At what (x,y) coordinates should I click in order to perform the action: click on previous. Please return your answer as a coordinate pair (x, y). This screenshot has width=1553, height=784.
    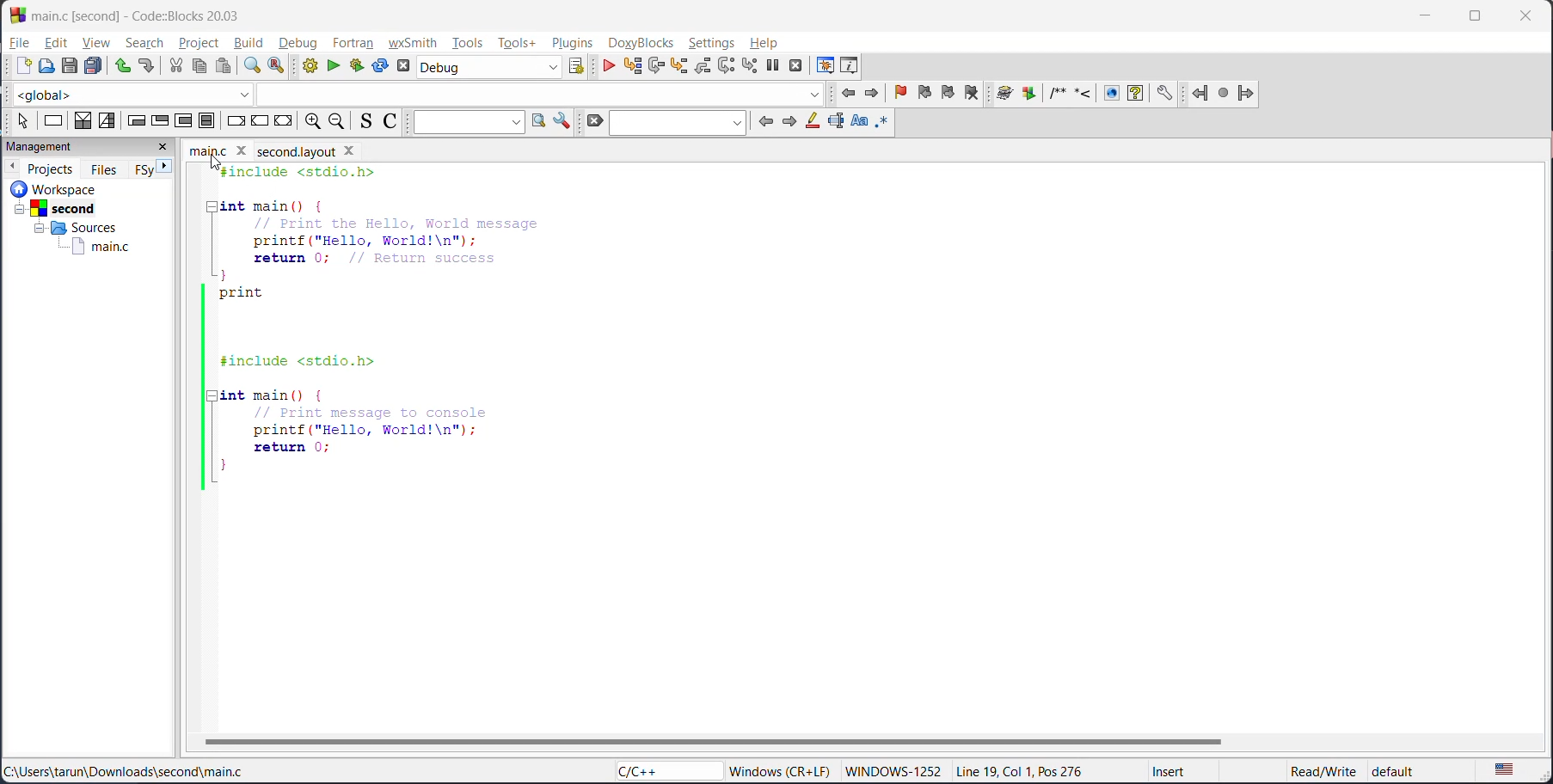
    Looking at the image, I should click on (765, 123).